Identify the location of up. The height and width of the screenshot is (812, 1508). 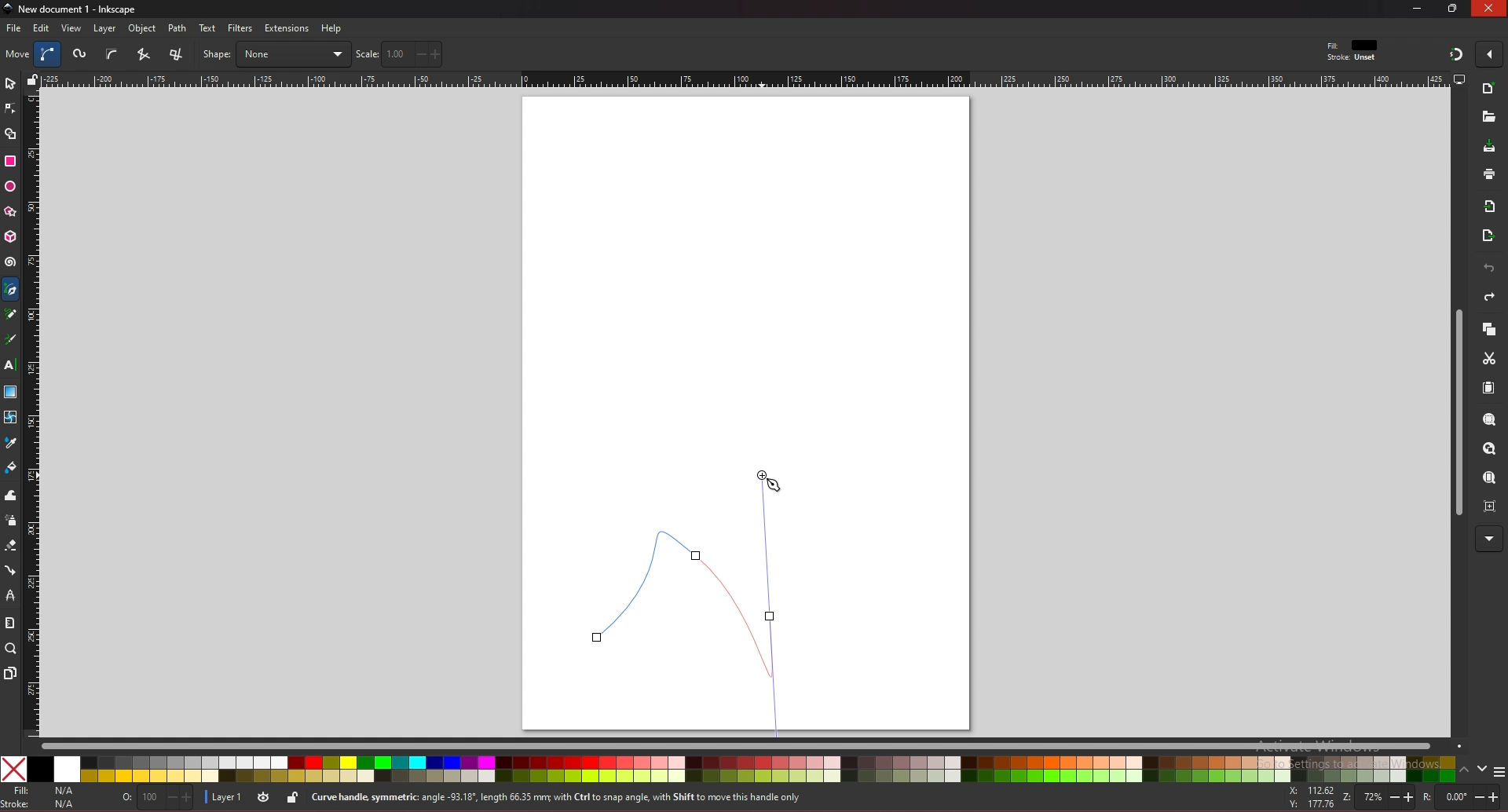
(1465, 772).